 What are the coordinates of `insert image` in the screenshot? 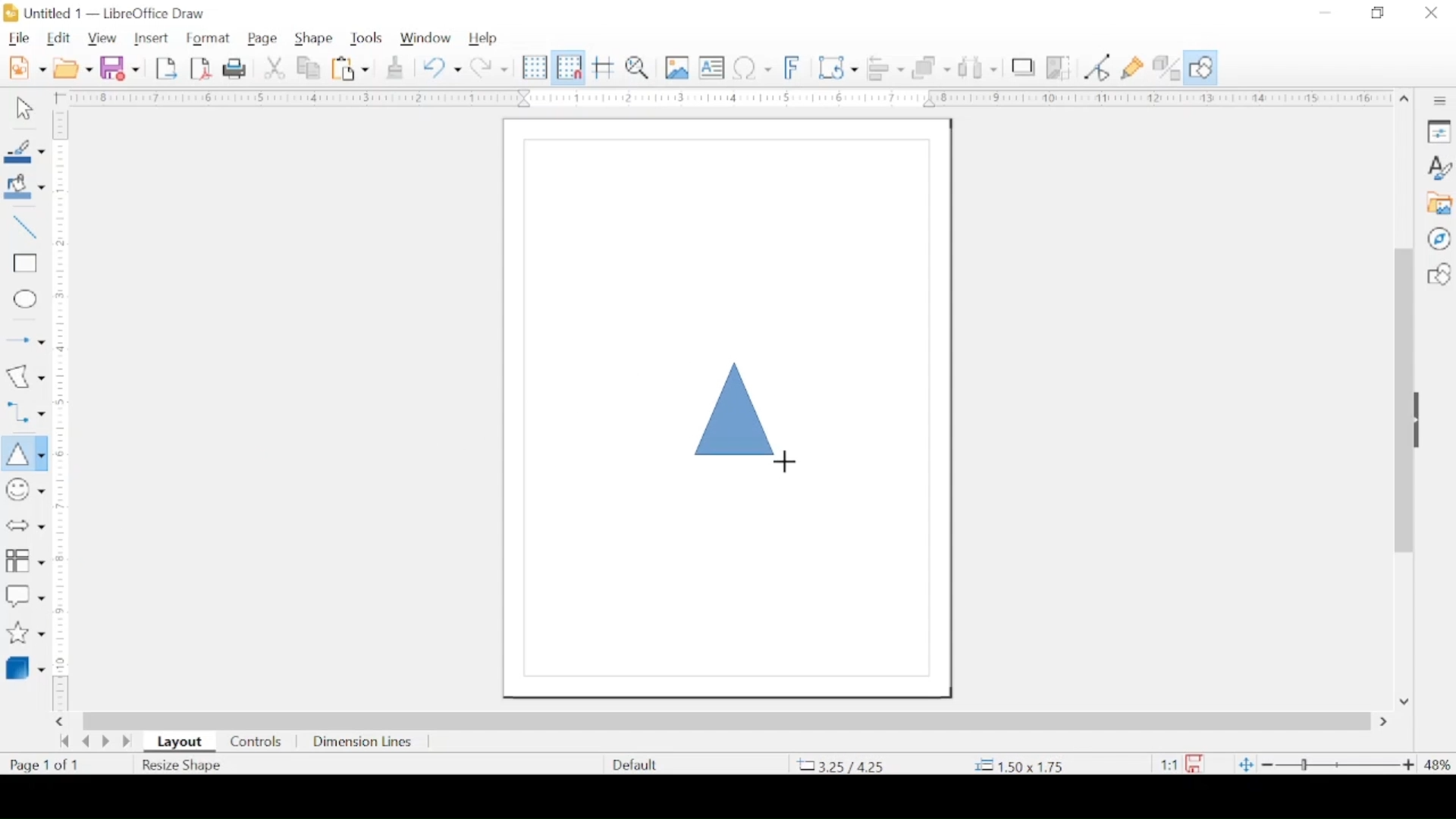 It's located at (678, 68).